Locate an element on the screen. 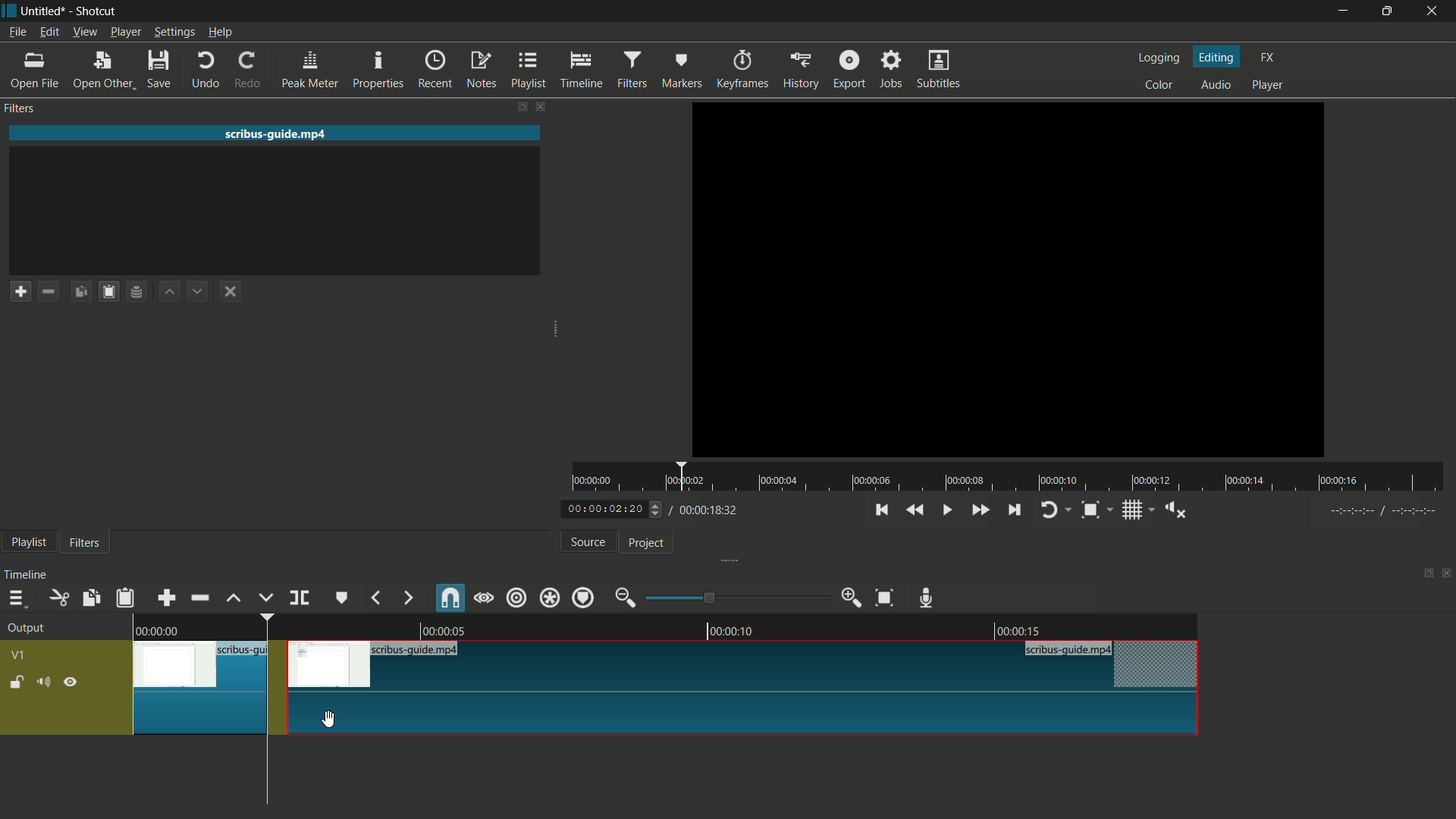  ripple delete is located at coordinates (199, 598).